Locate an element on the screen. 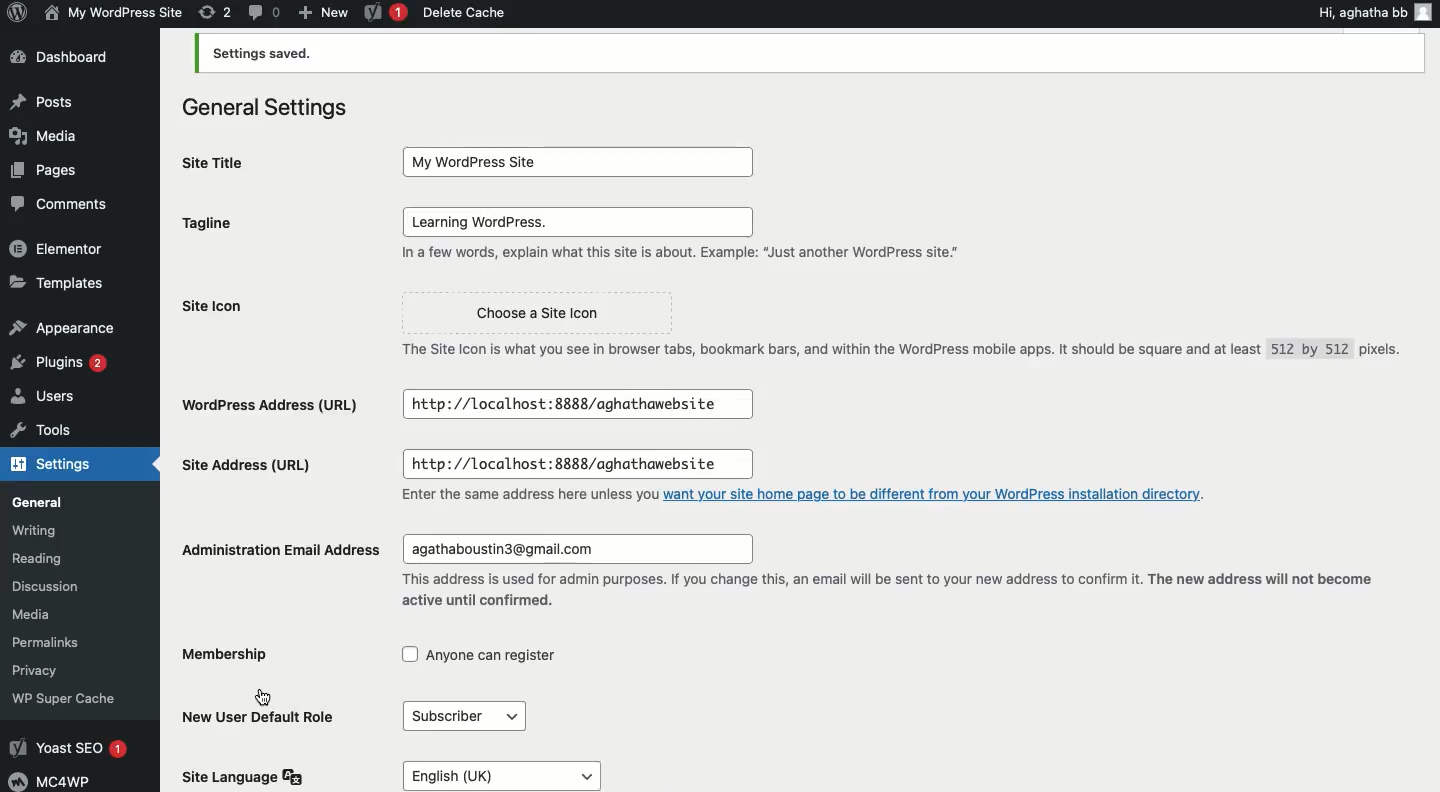  Dashboard is located at coordinates (65, 58).